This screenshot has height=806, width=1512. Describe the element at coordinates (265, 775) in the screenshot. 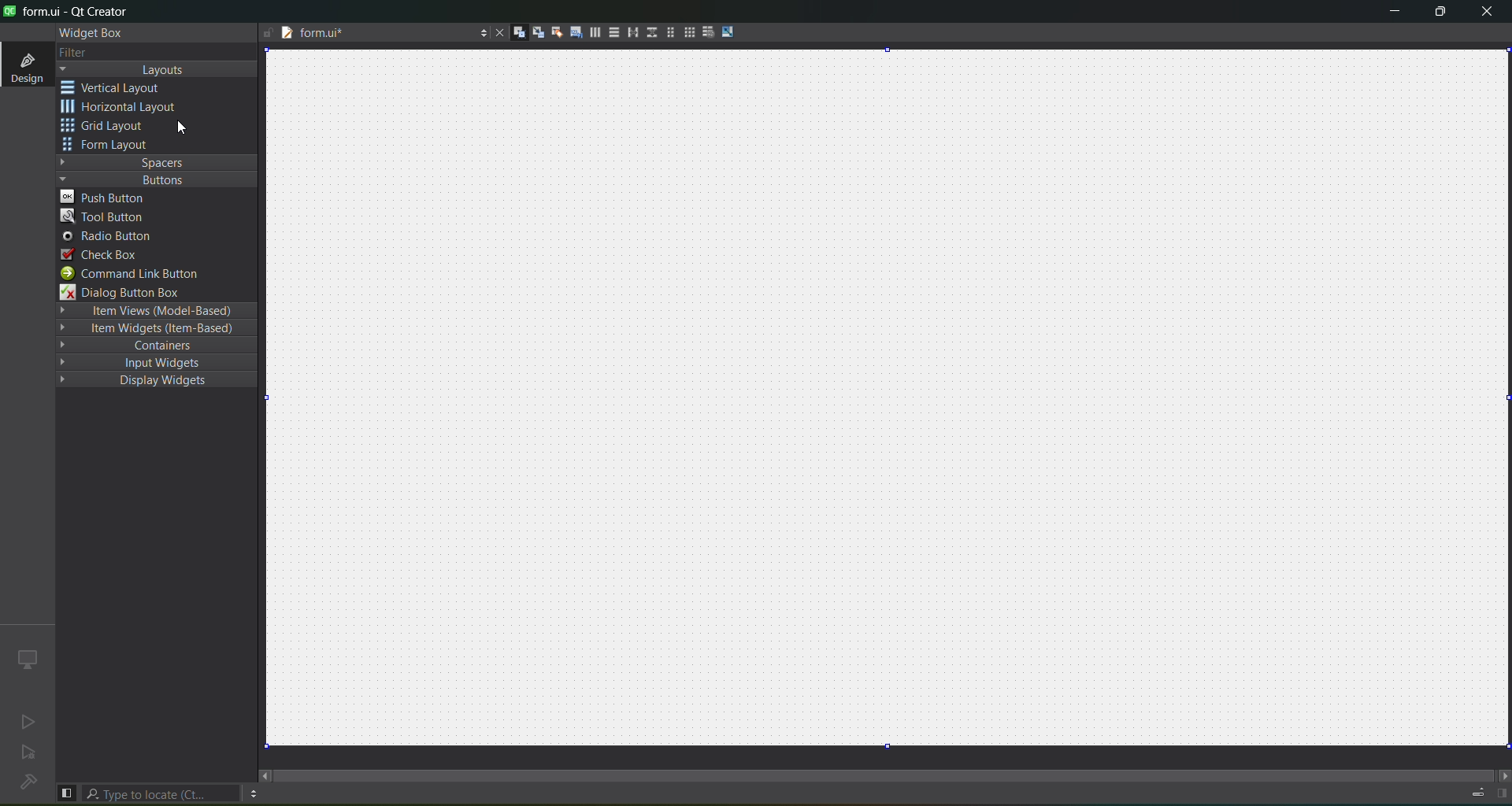

I see `move left` at that location.